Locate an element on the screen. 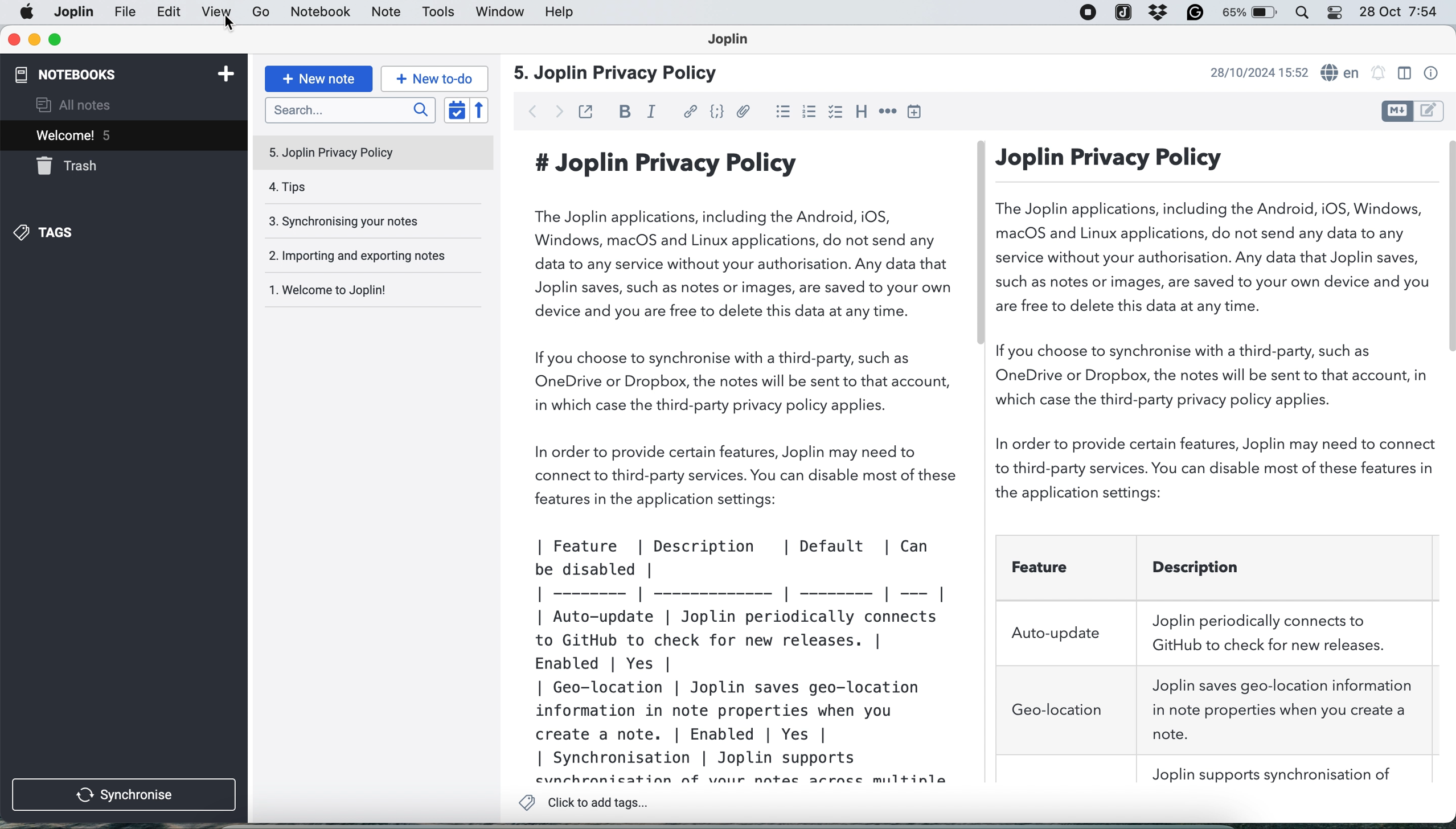  close is located at coordinates (13, 40).